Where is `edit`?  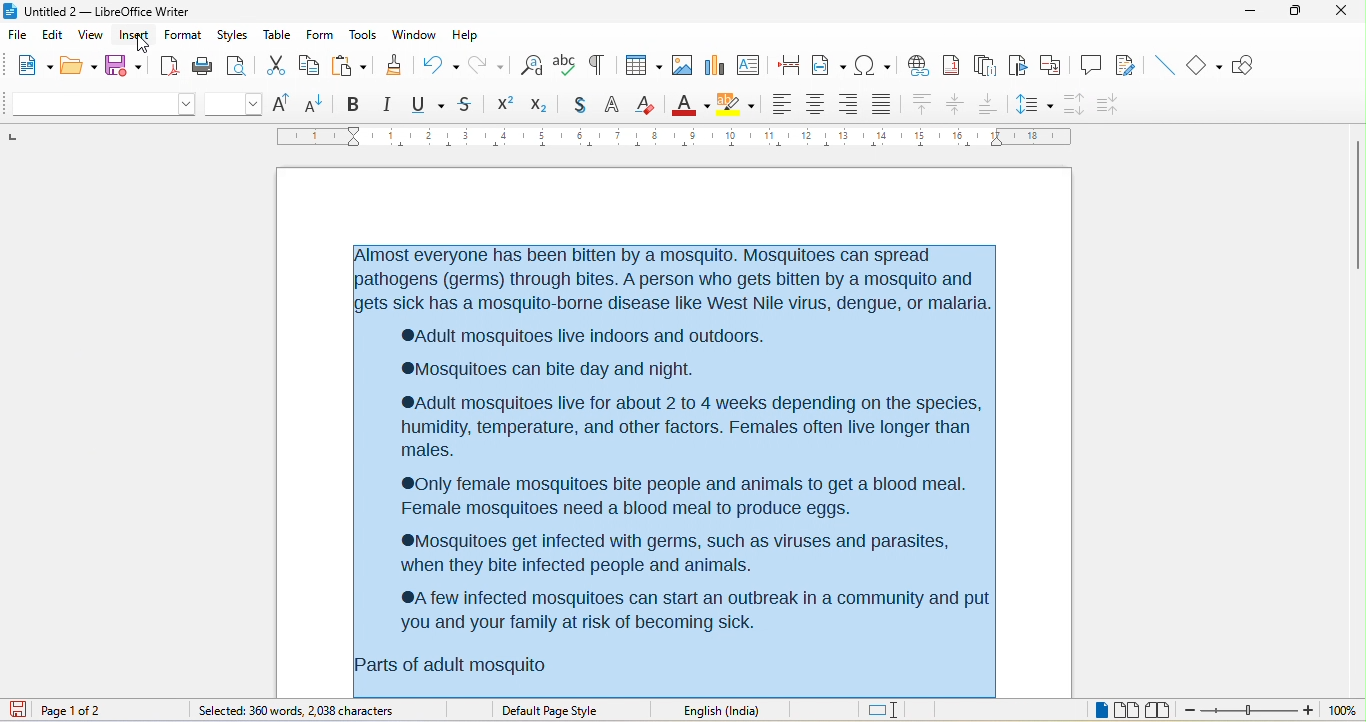
edit is located at coordinates (52, 35).